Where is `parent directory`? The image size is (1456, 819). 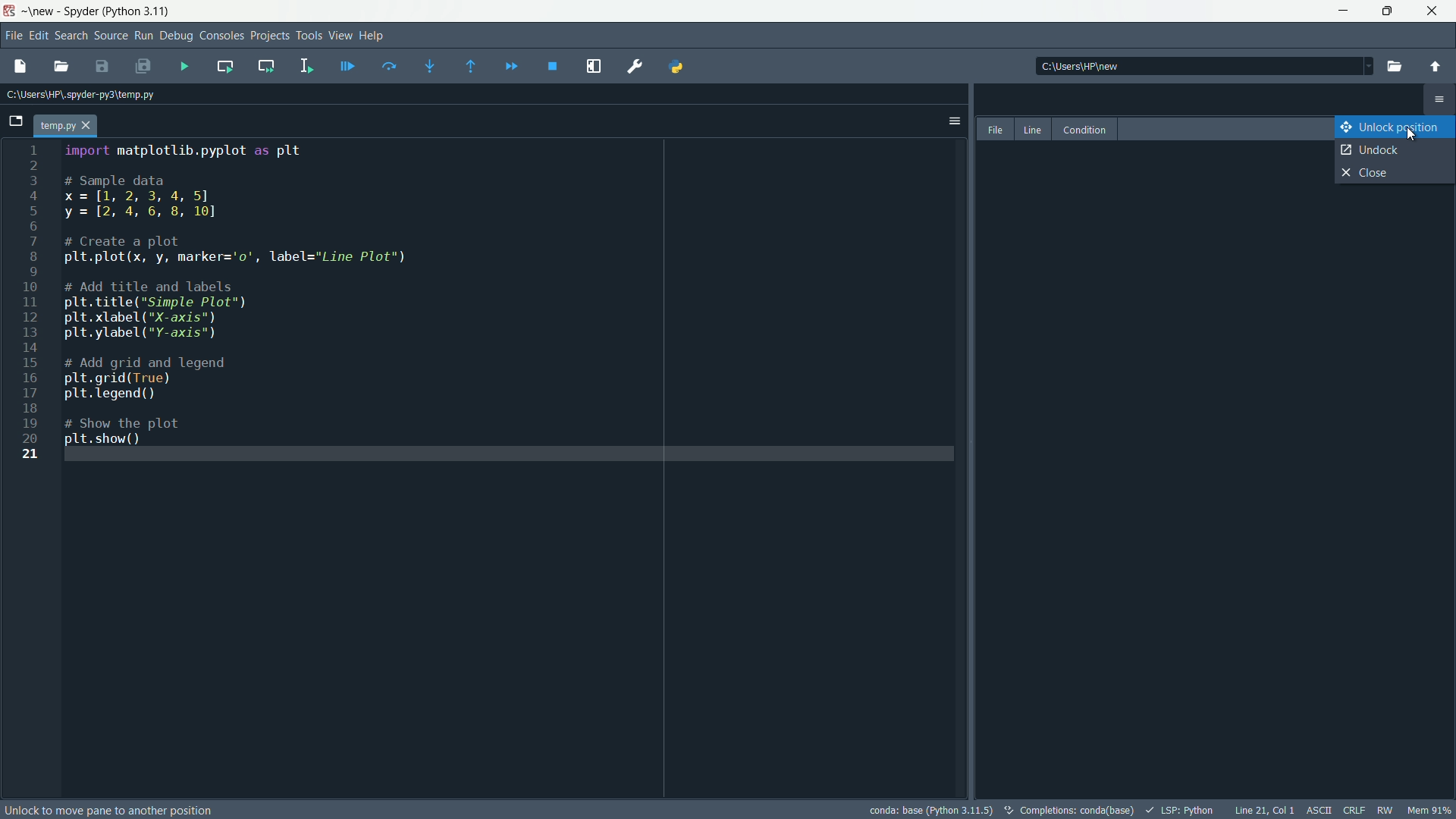
parent directory is located at coordinates (1437, 67).